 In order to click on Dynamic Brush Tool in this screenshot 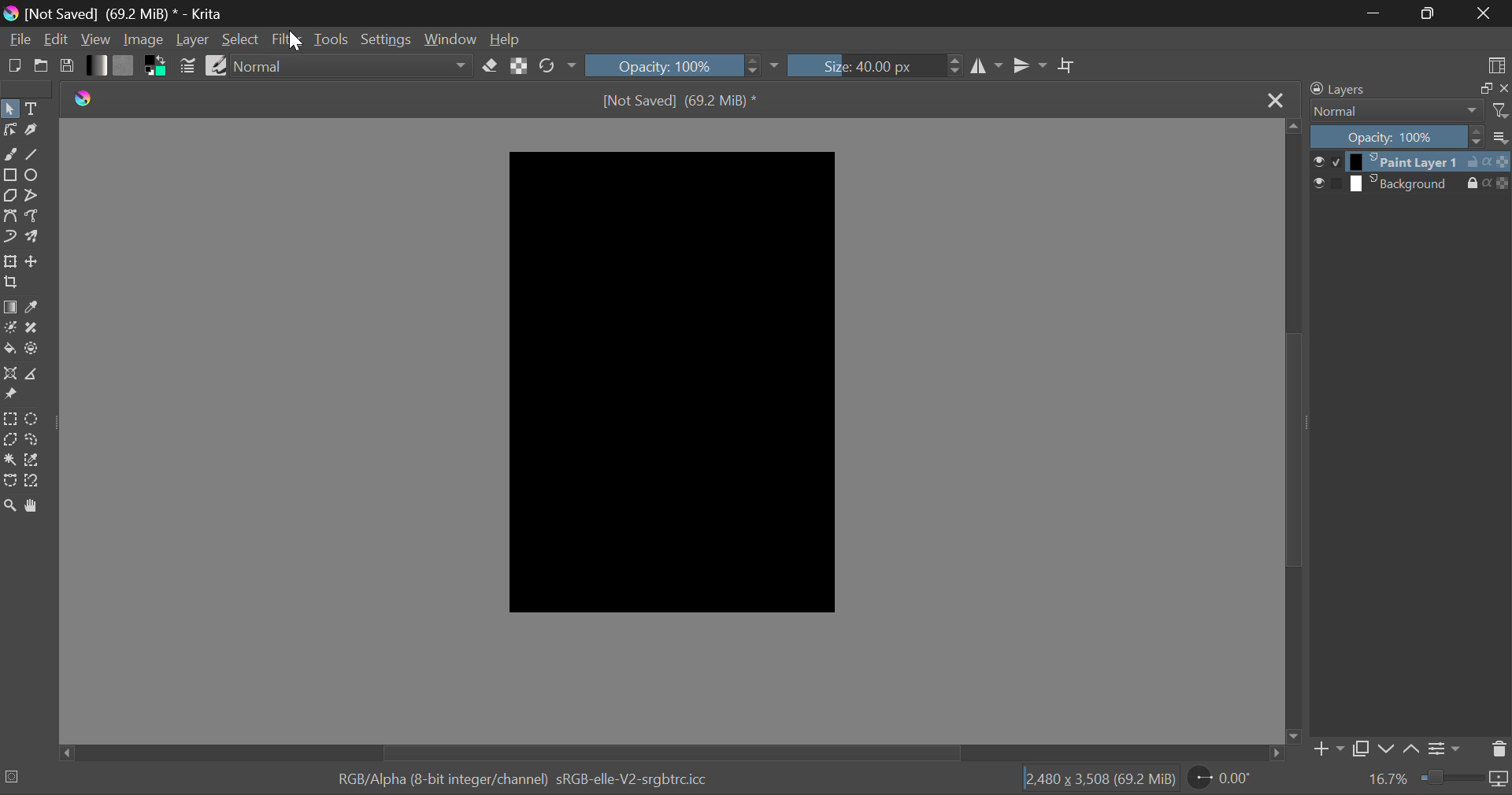, I will do `click(9, 238)`.